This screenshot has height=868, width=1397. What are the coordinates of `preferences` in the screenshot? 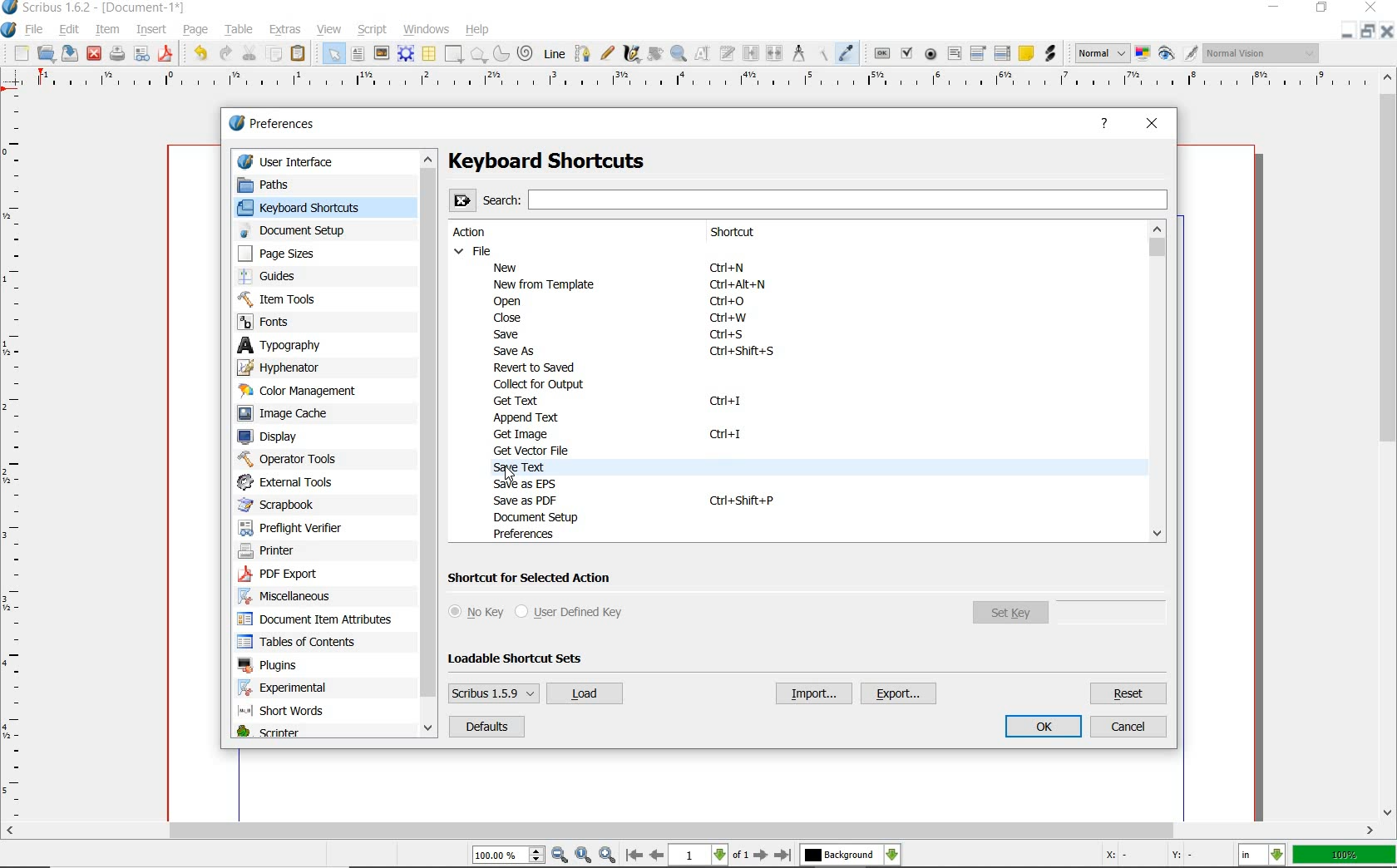 It's located at (277, 124).